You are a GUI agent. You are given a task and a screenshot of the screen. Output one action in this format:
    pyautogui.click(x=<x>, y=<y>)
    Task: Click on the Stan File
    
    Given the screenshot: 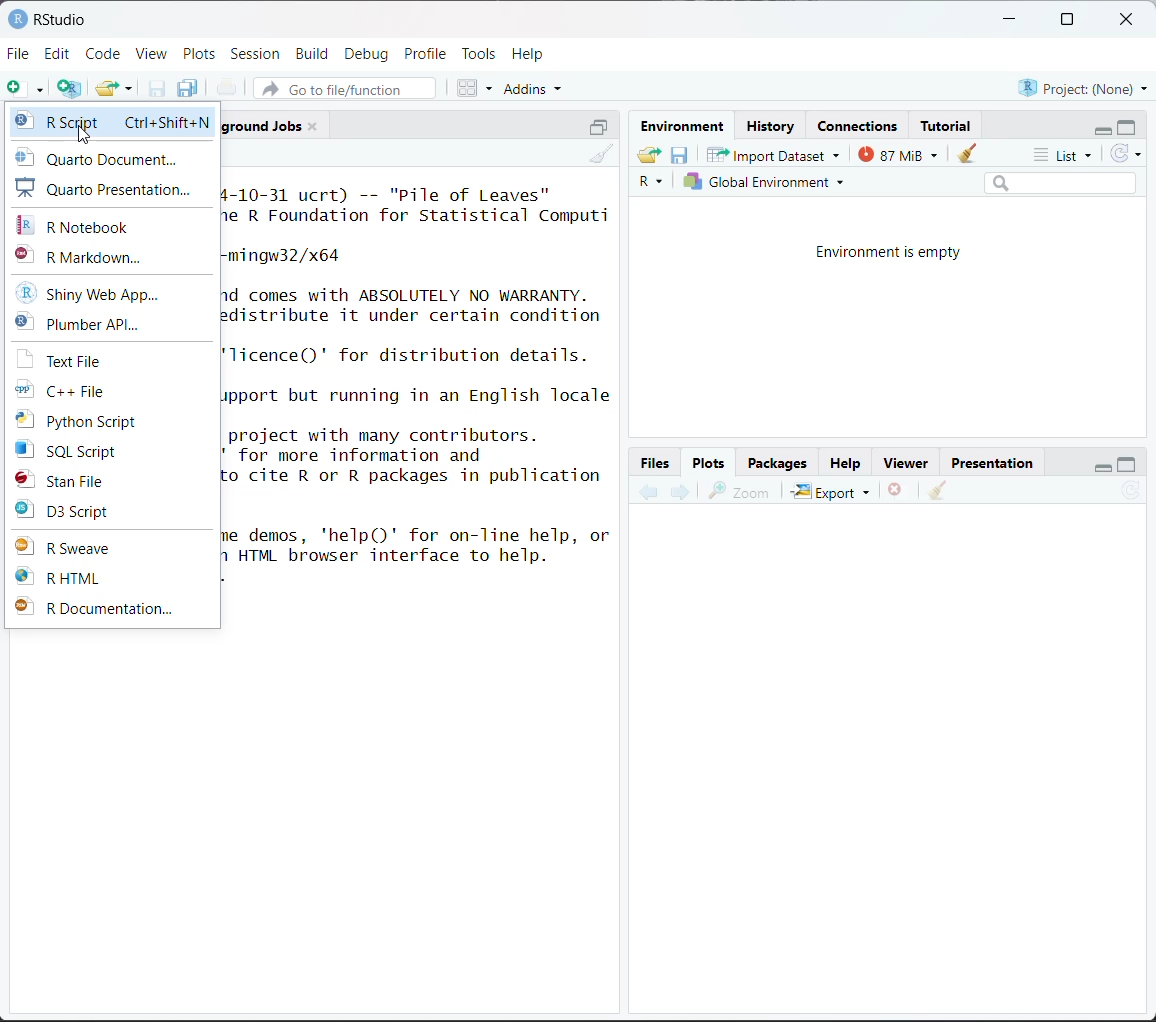 What is the action you would take?
    pyautogui.click(x=66, y=483)
    